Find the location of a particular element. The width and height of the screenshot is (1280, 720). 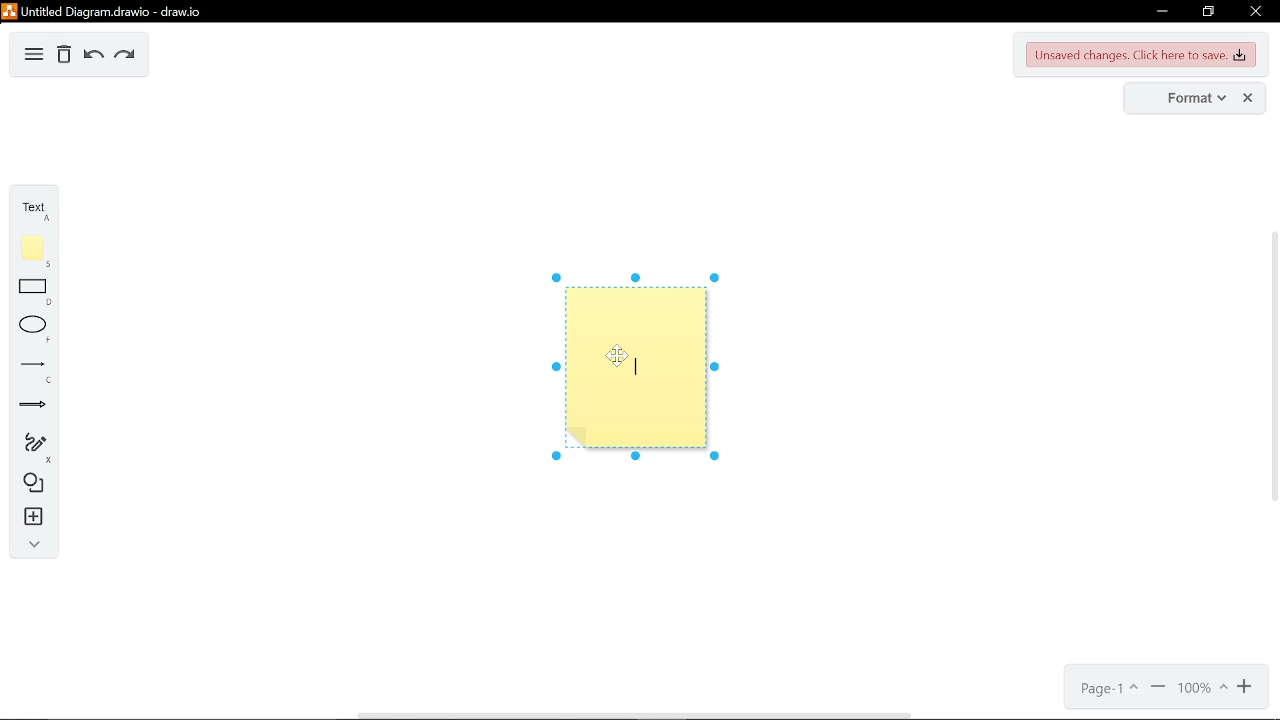

diagram is located at coordinates (33, 57).